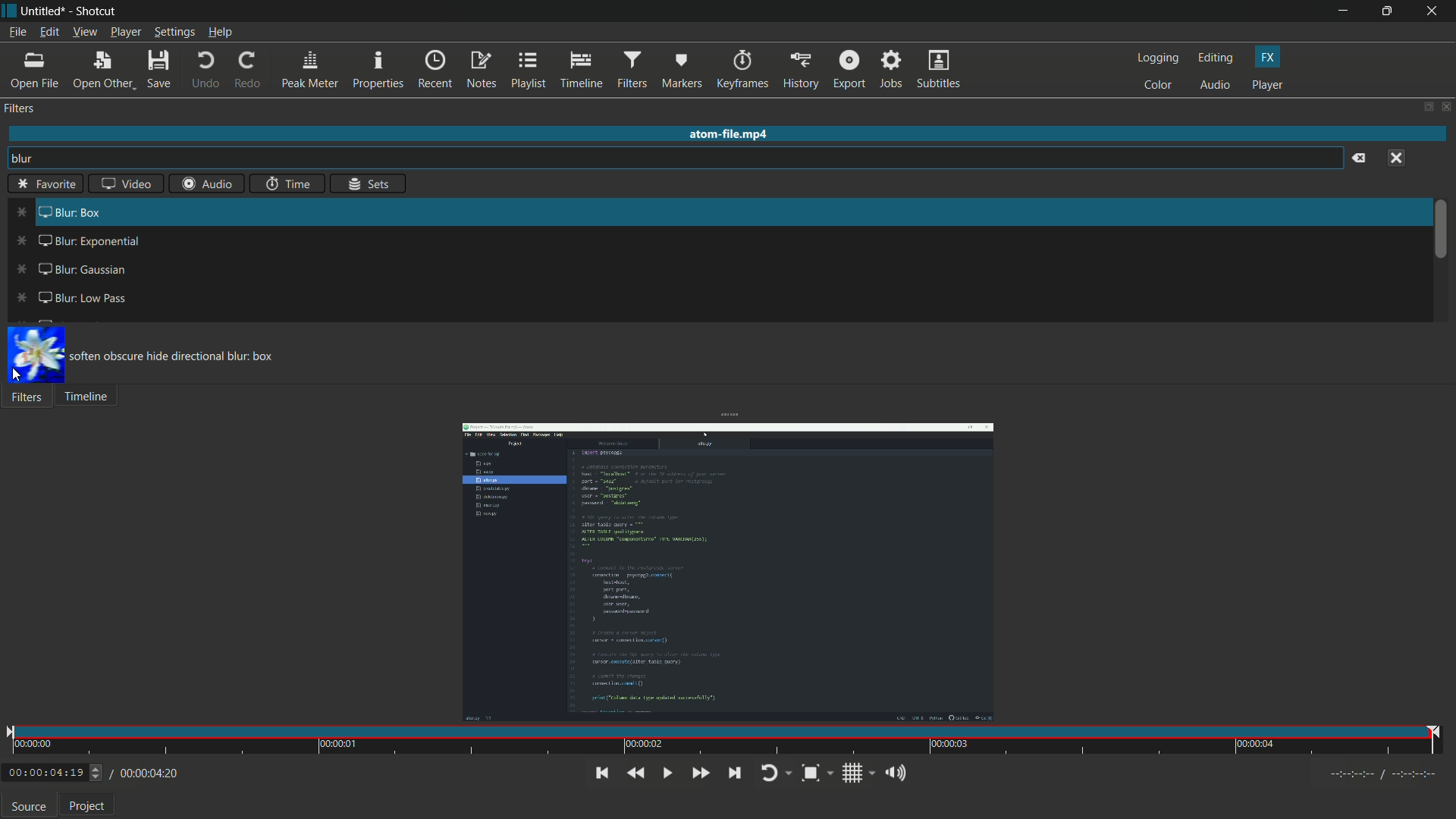 The height and width of the screenshot is (819, 1456). I want to click on save, so click(162, 71).